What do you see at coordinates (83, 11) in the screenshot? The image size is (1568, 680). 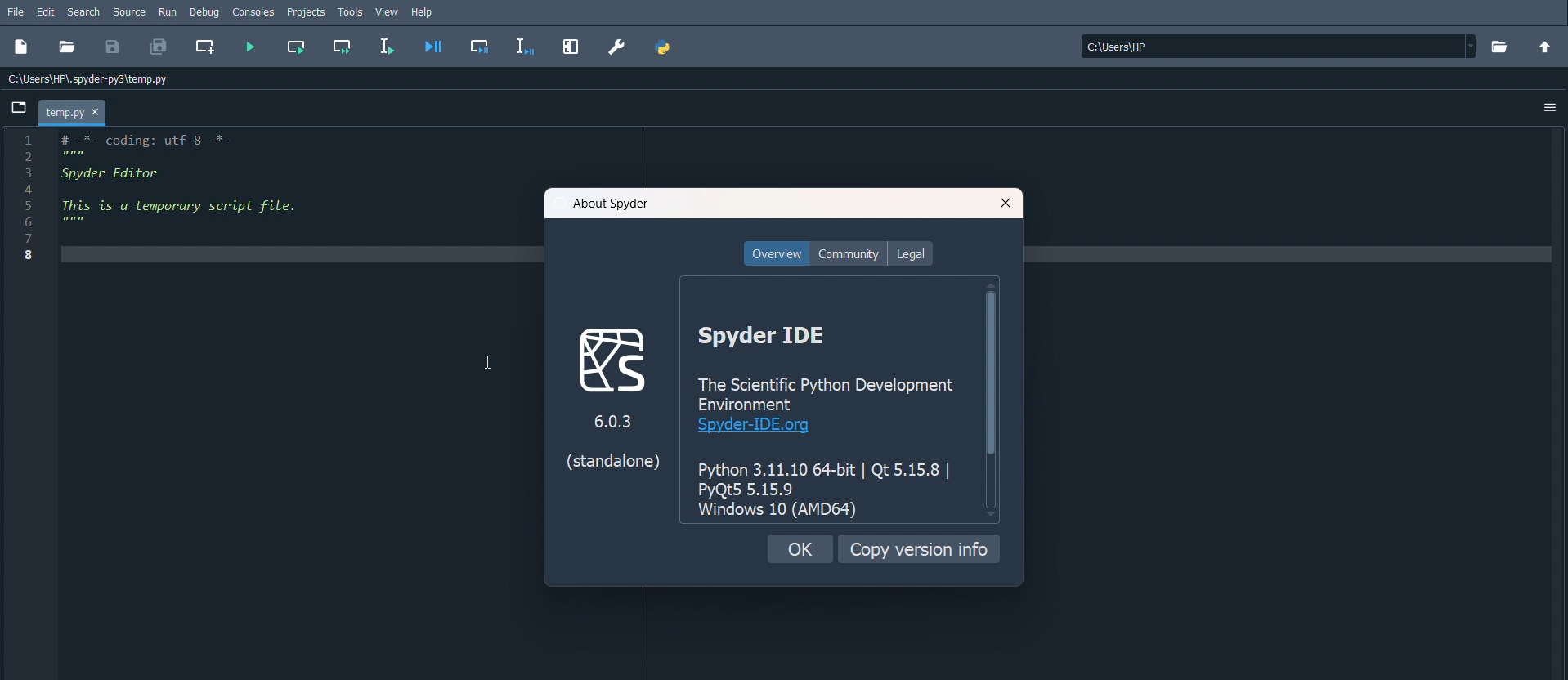 I see `Search` at bounding box center [83, 11].